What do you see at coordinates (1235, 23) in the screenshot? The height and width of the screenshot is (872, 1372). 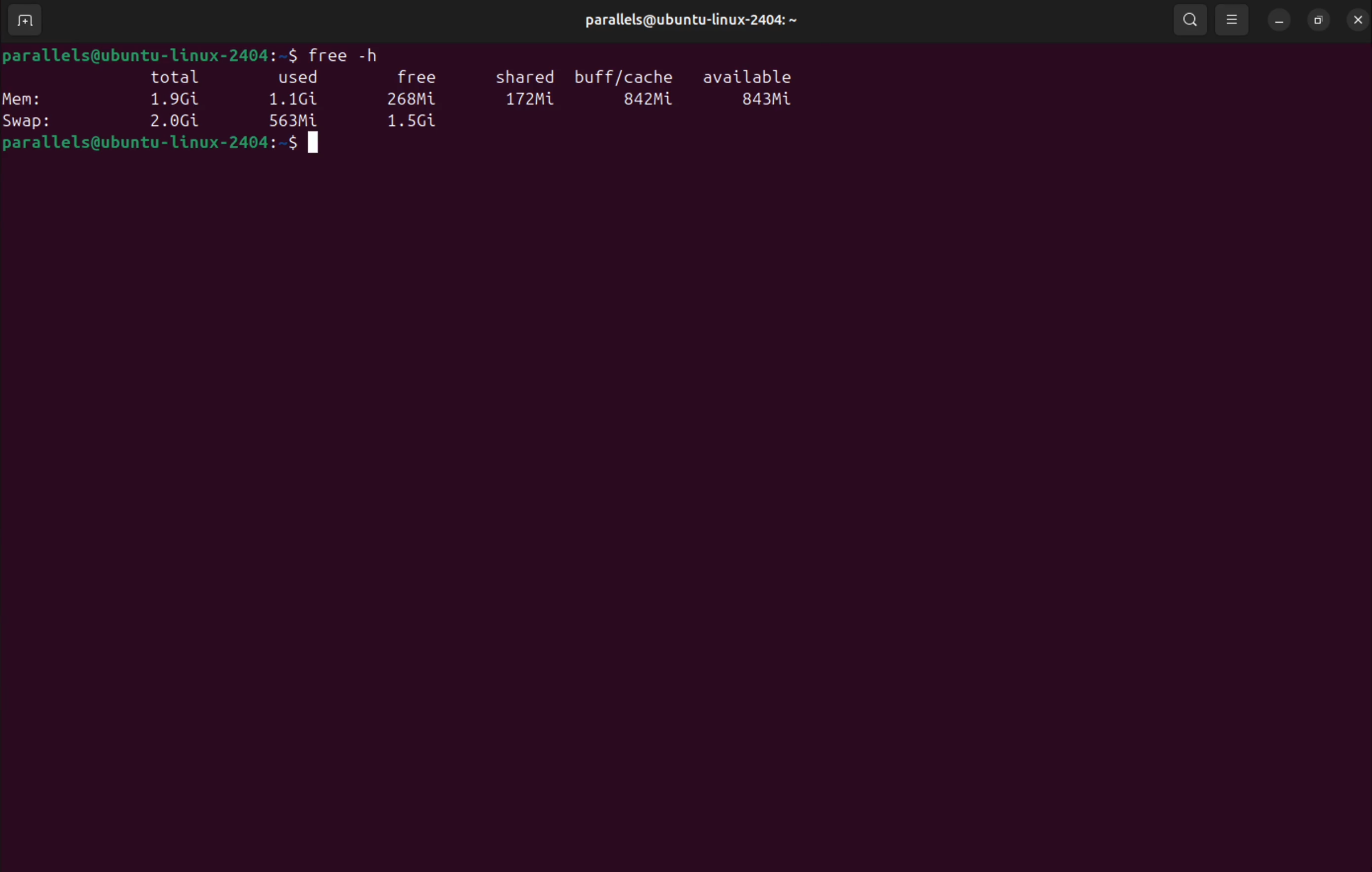 I see `view options` at bounding box center [1235, 23].